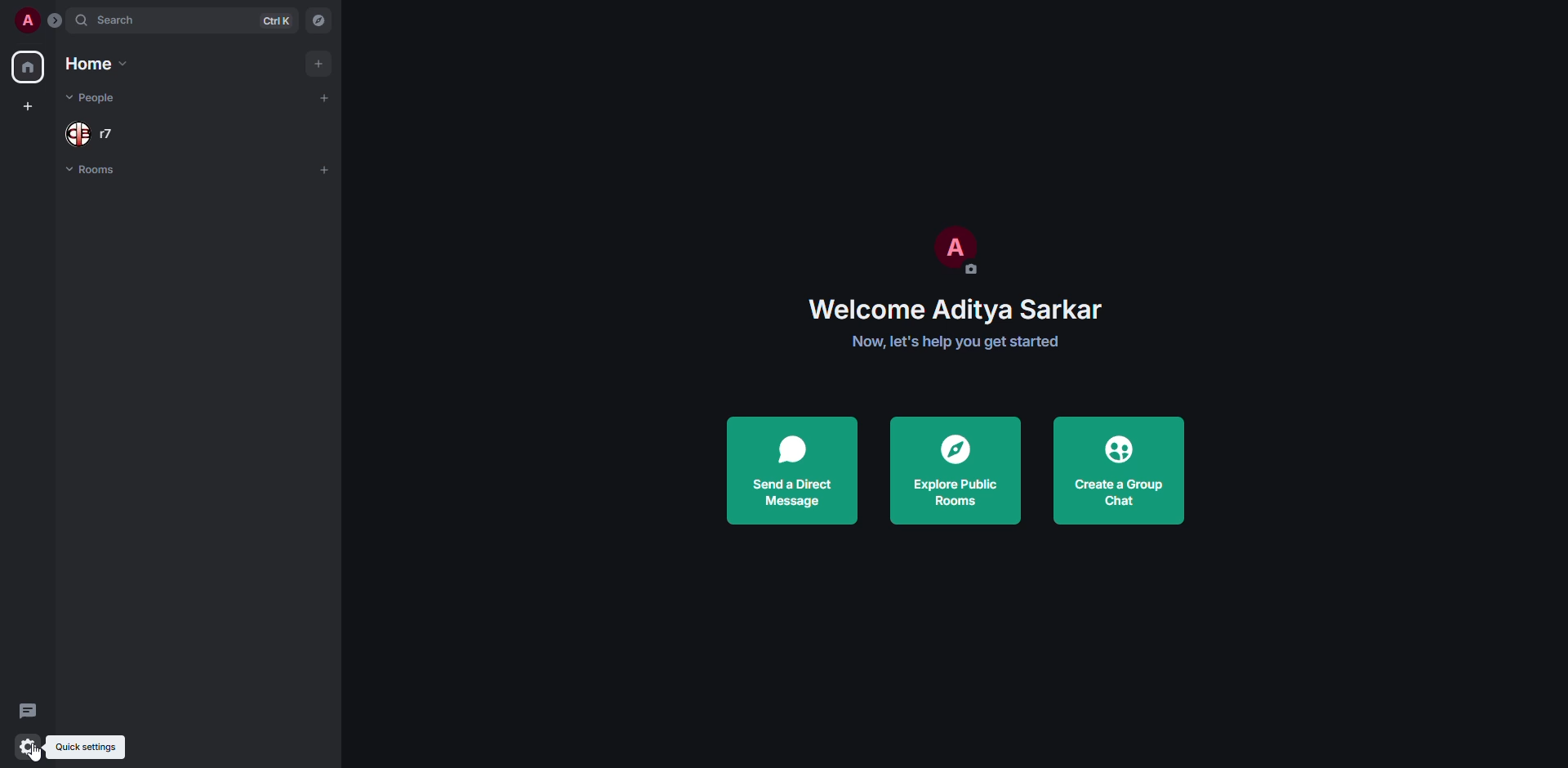  What do you see at coordinates (957, 341) in the screenshot?
I see `get started` at bounding box center [957, 341].